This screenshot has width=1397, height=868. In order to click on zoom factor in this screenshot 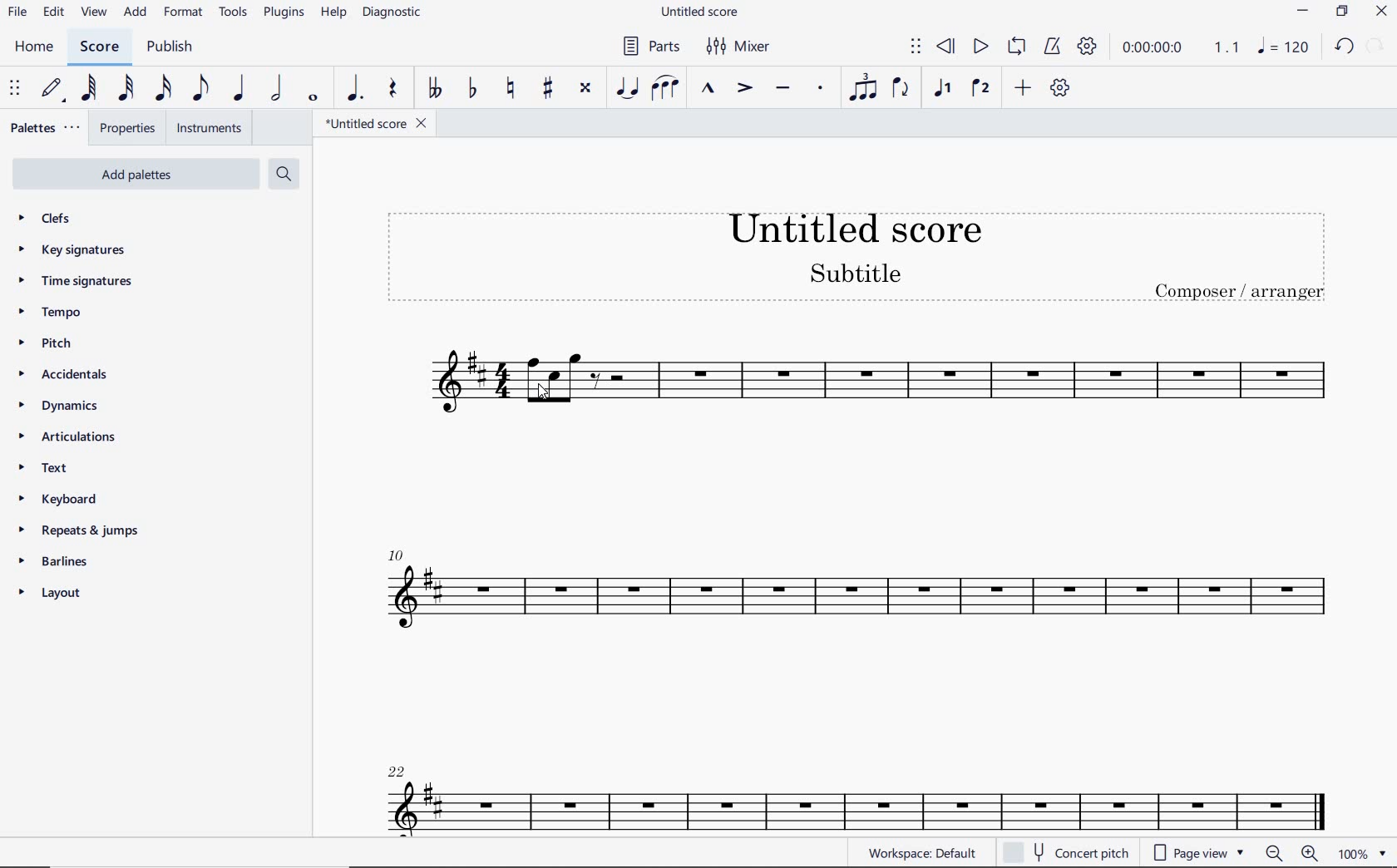, I will do `click(1363, 853)`.